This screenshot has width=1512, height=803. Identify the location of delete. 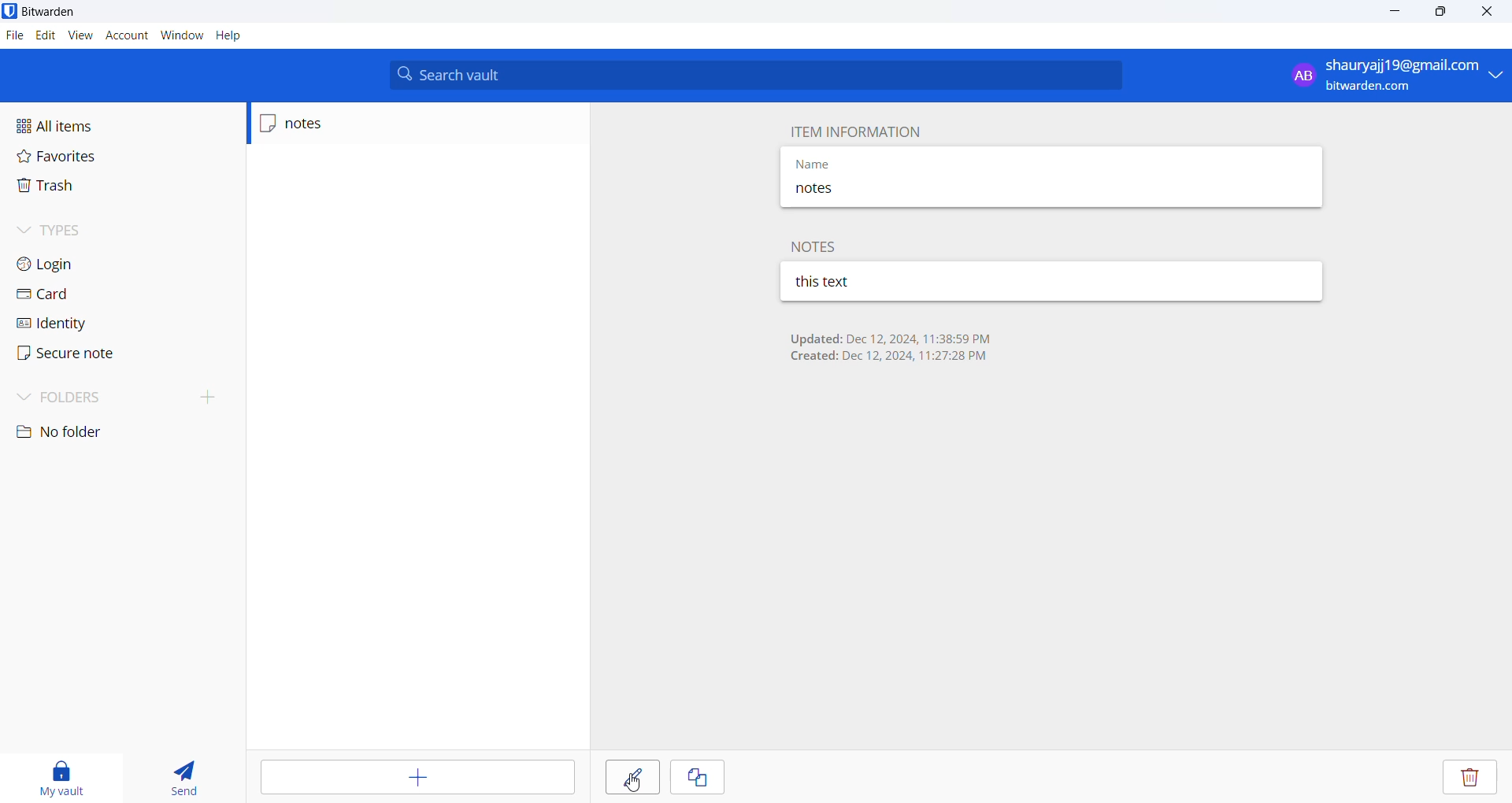
(1469, 778).